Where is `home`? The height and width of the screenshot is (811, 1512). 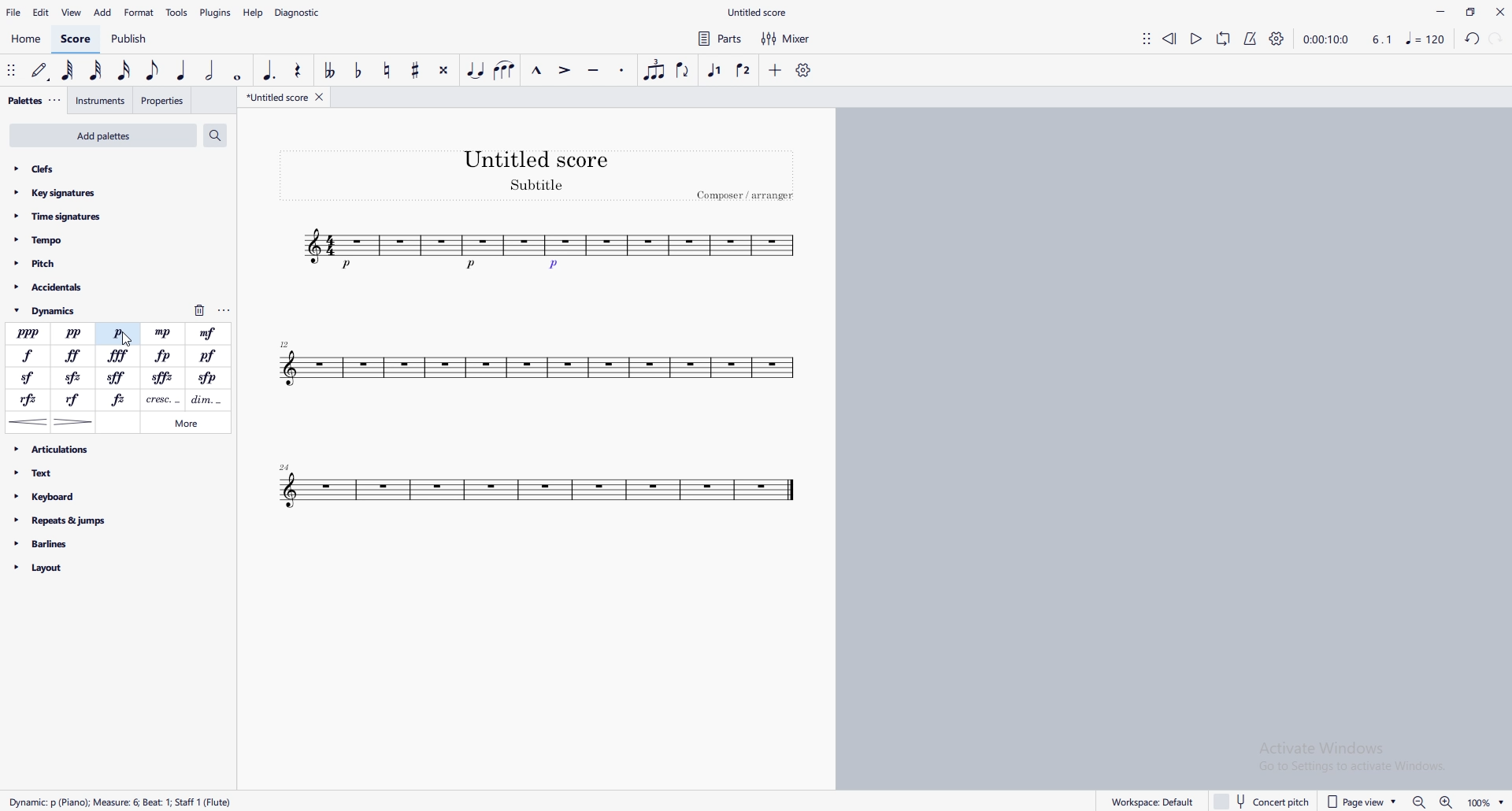 home is located at coordinates (27, 39).